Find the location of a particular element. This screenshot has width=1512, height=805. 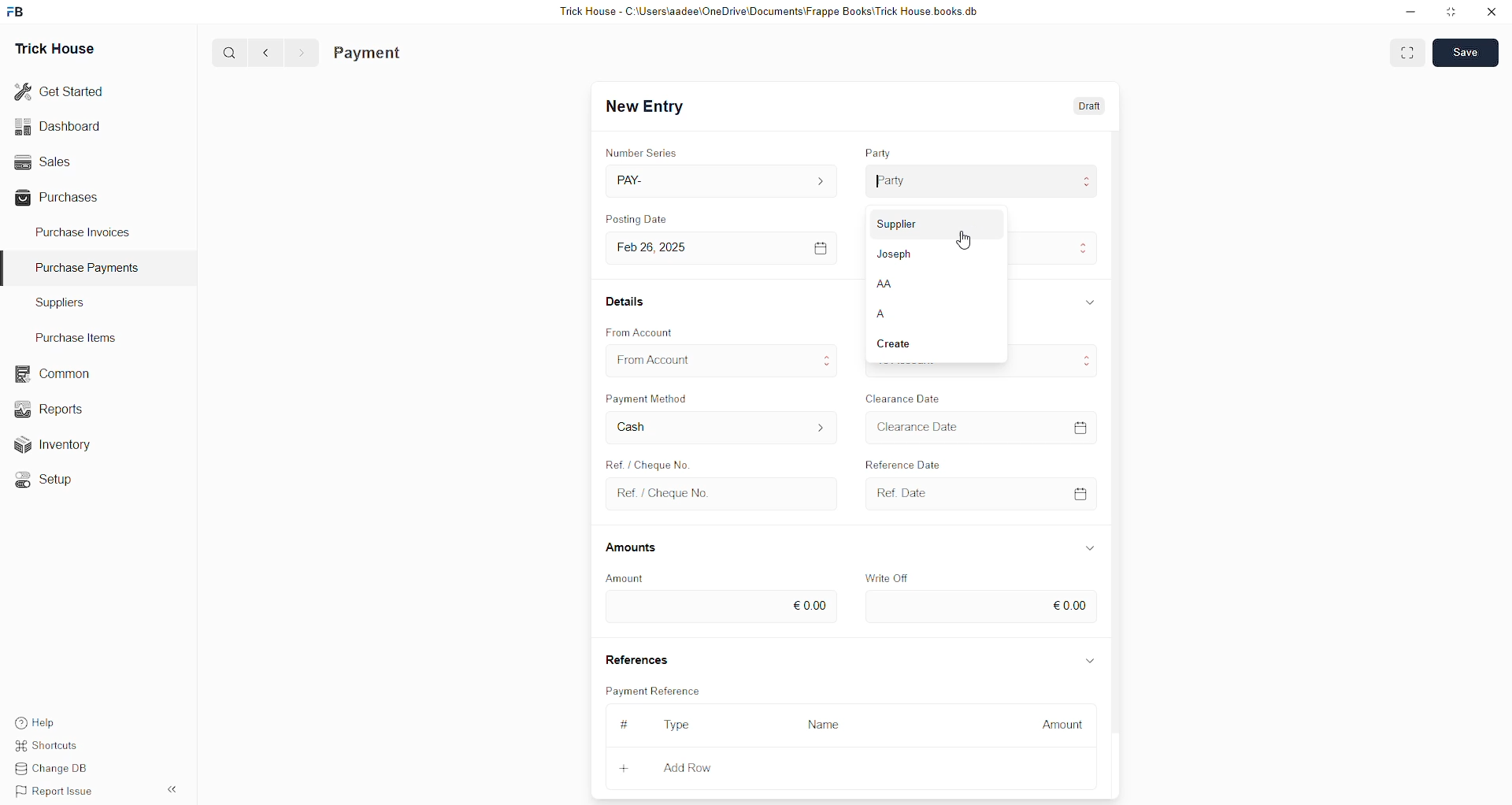

+ is located at coordinates (623, 769).